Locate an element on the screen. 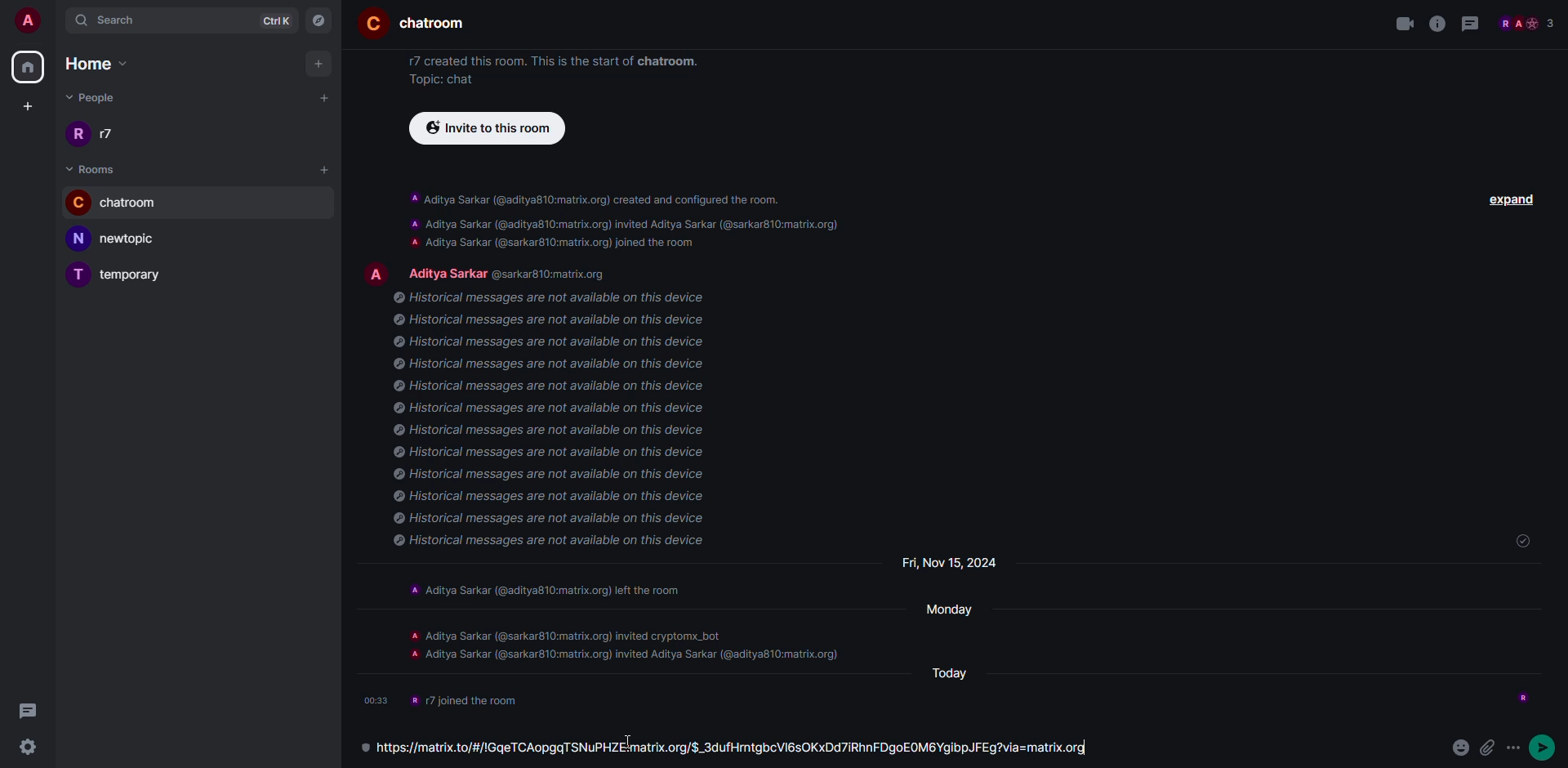 The image size is (1568, 768). link pasted is located at coordinates (735, 747).